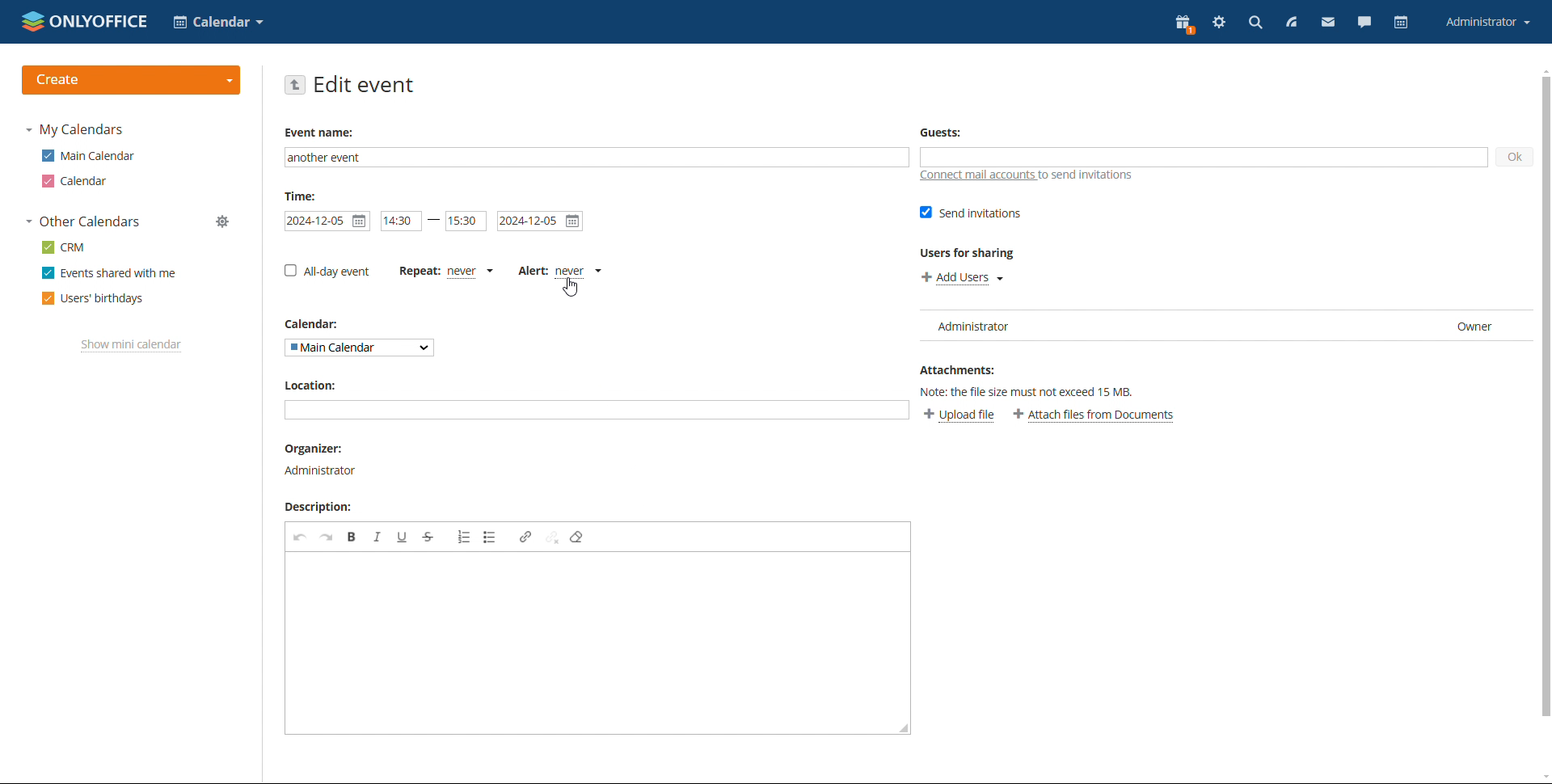 This screenshot has width=1552, height=784. Describe the element at coordinates (1517, 158) in the screenshot. I see `ok` at that location.